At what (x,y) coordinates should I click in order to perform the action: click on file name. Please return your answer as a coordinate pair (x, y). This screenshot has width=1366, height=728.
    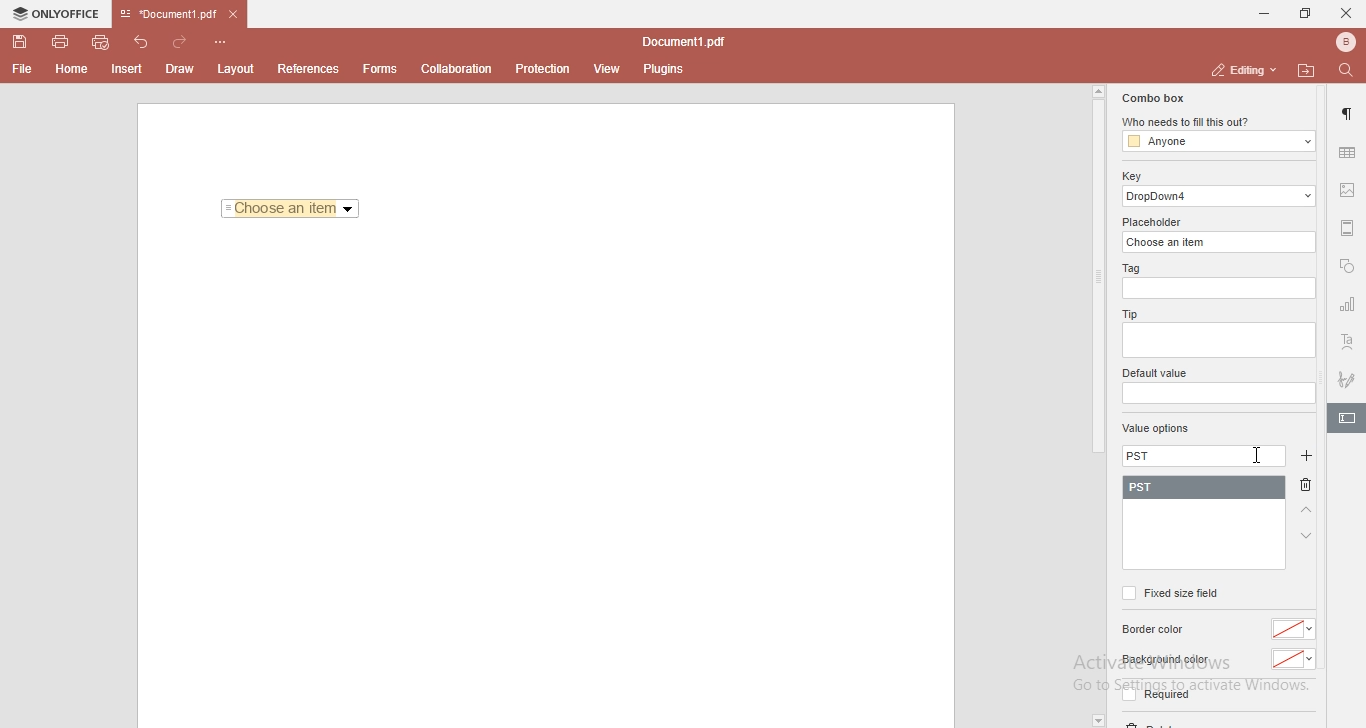
    Looking at the image, I should click on (688, 43).